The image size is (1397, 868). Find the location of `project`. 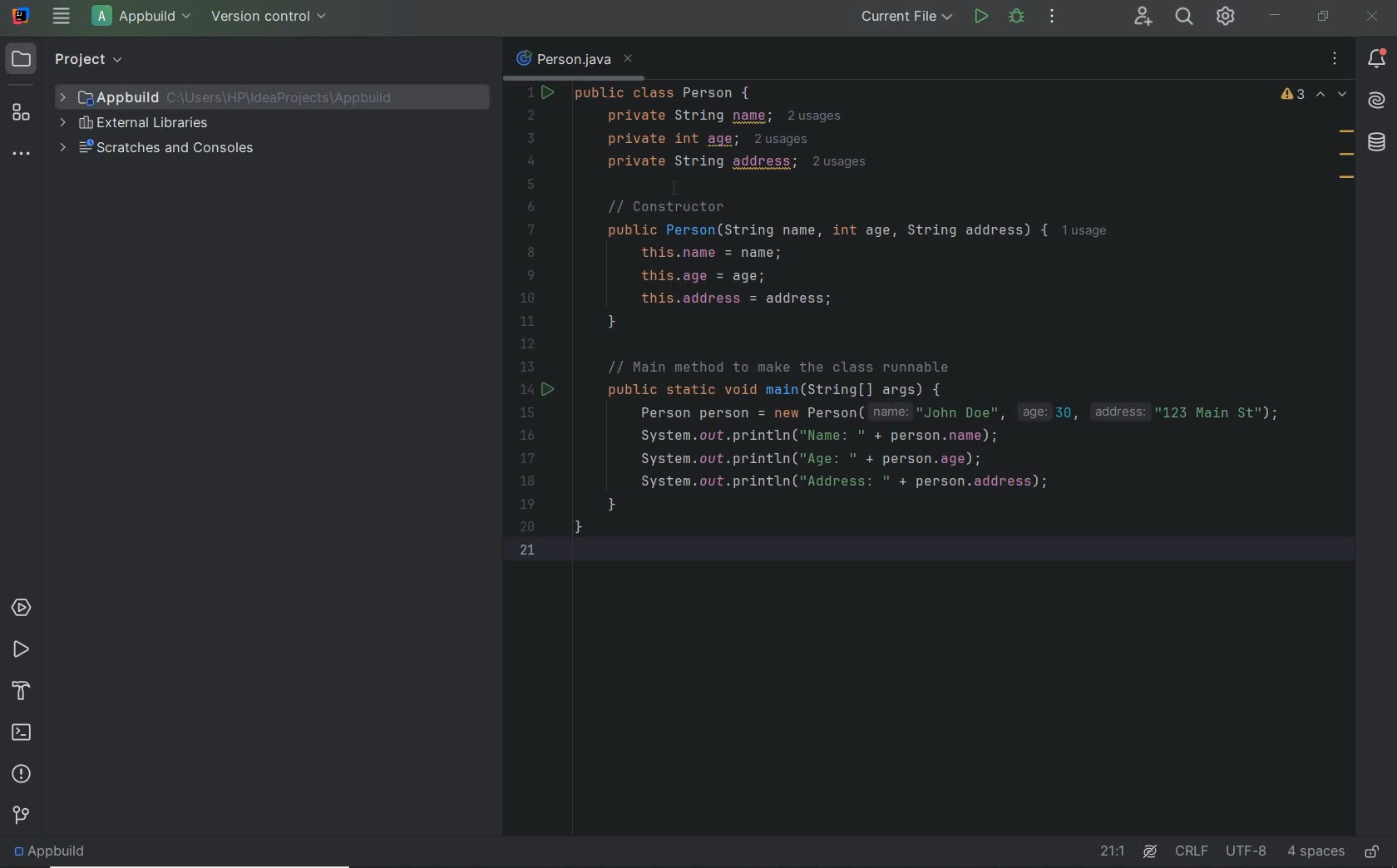

project is located at coordinates (70, 59).